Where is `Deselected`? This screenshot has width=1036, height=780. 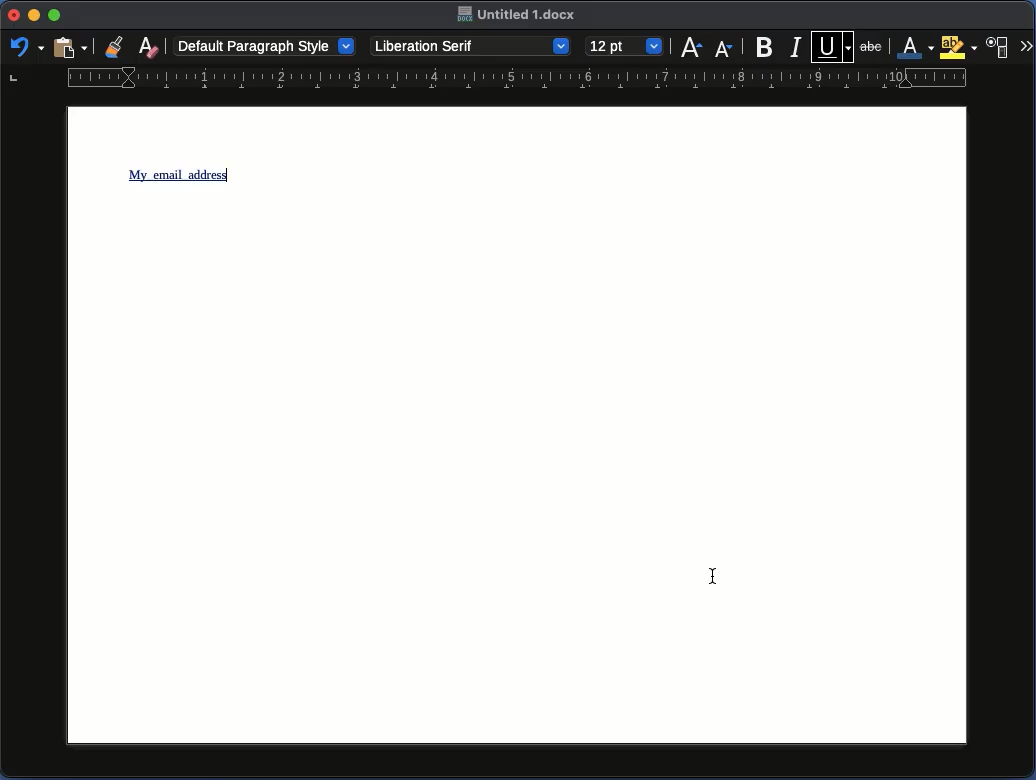 Deselected is located at coordinates (713, 572).